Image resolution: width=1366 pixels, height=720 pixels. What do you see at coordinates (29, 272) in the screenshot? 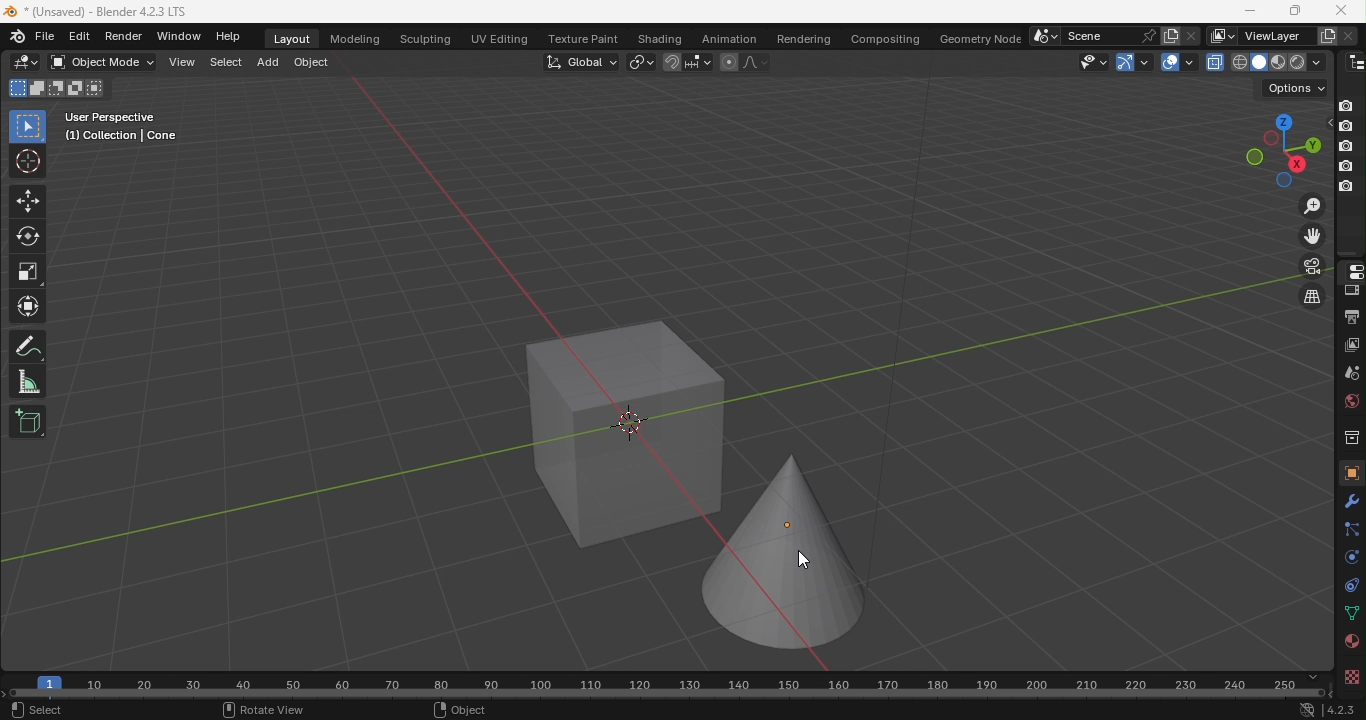
I see `Scale` at bounding box center [29, 272].